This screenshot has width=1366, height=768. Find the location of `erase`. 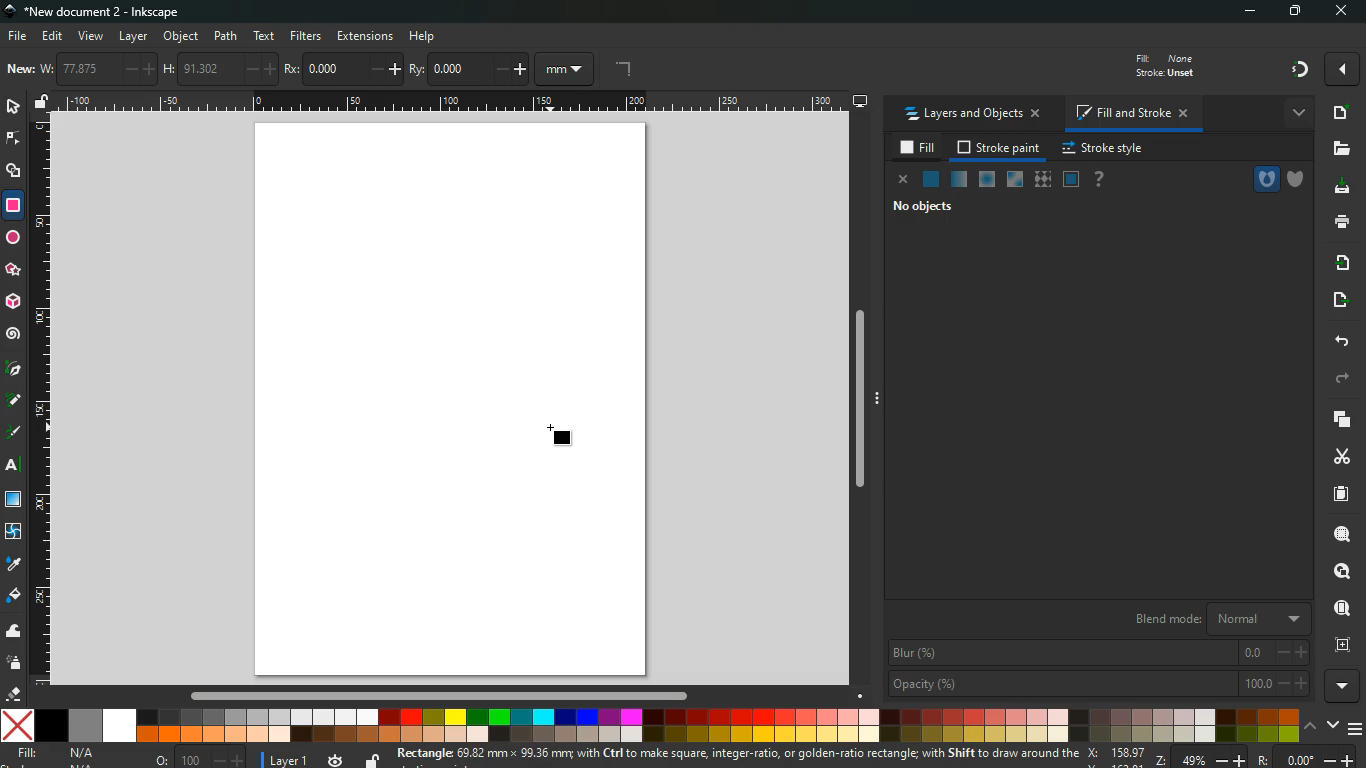

erase is located at coordinates (14, 693).